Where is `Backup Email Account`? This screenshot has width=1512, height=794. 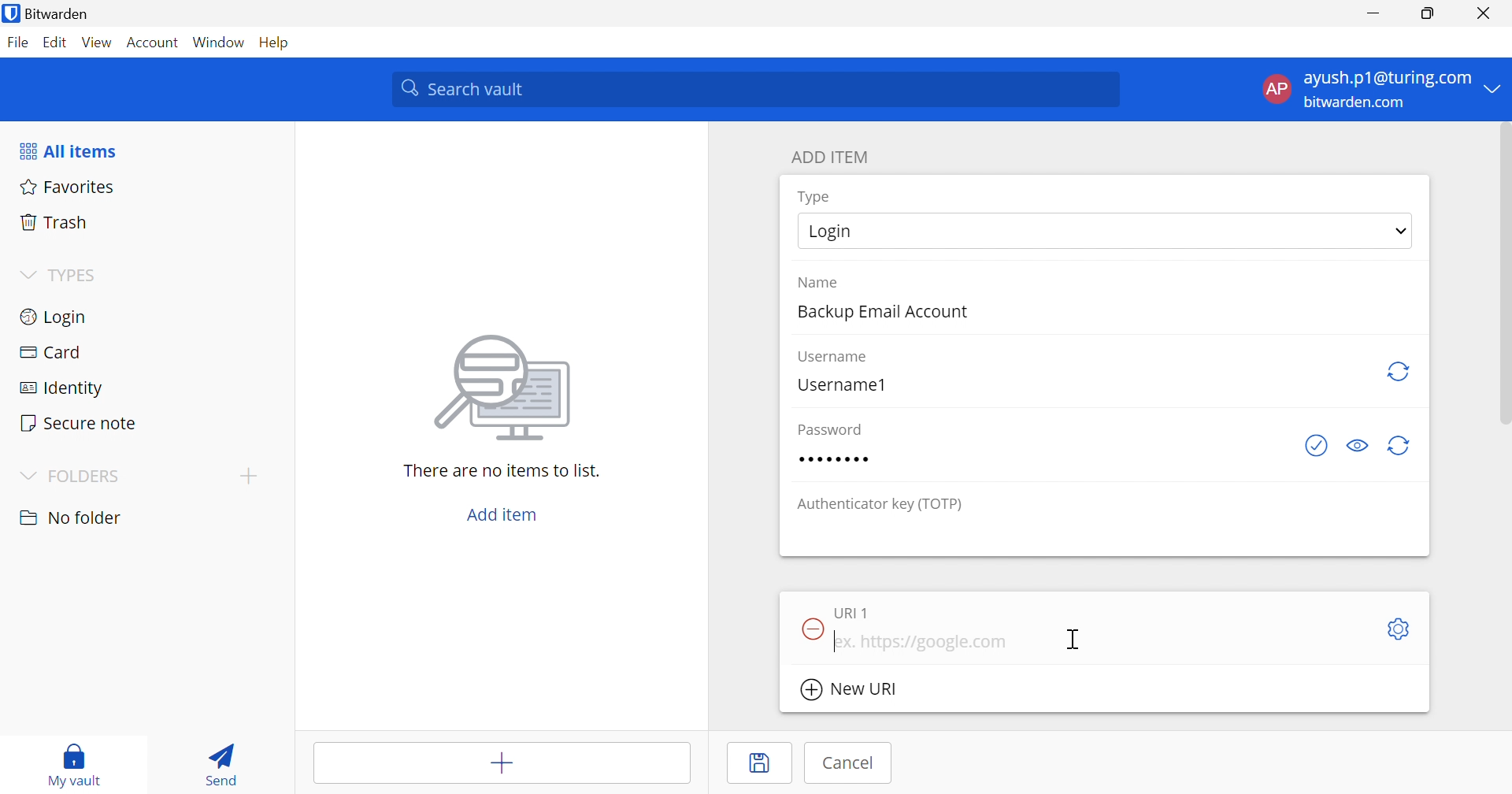 Backup Email Account is located at coordinates (880, 313).